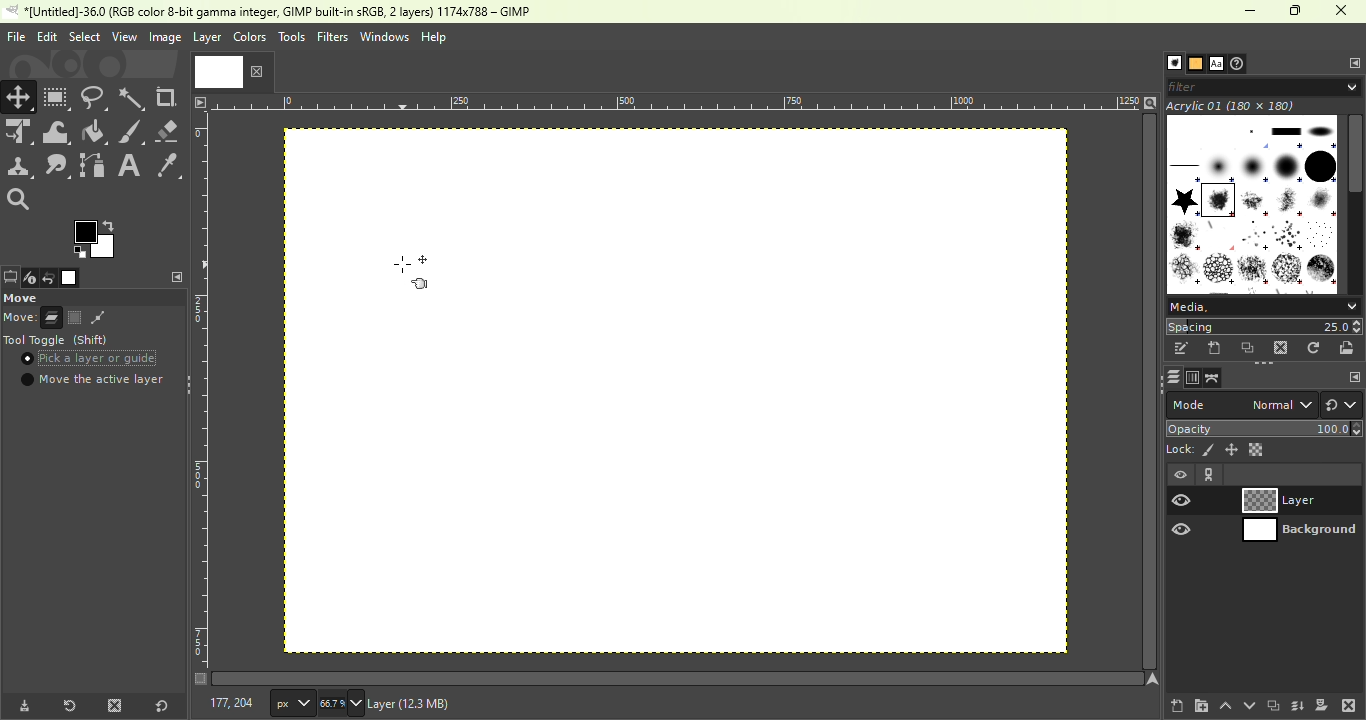 This screenshot has height=720, width=1366. What do you see at coordinates (200, 398) in the screenshot?
I see `Vertical ruler measurment` at bounding box center [200, 398].